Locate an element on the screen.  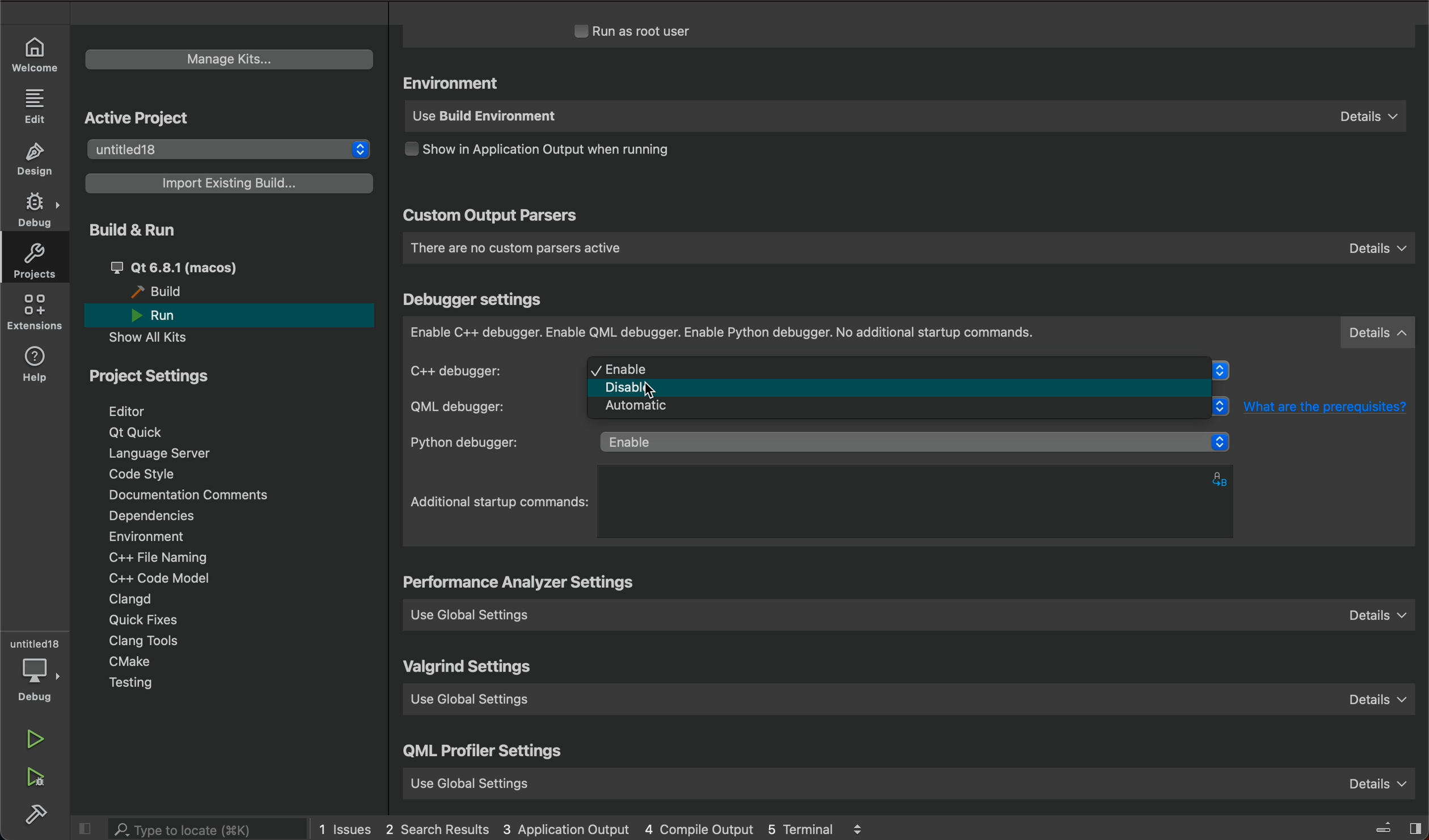
environment is located at coordinates (146, 536).